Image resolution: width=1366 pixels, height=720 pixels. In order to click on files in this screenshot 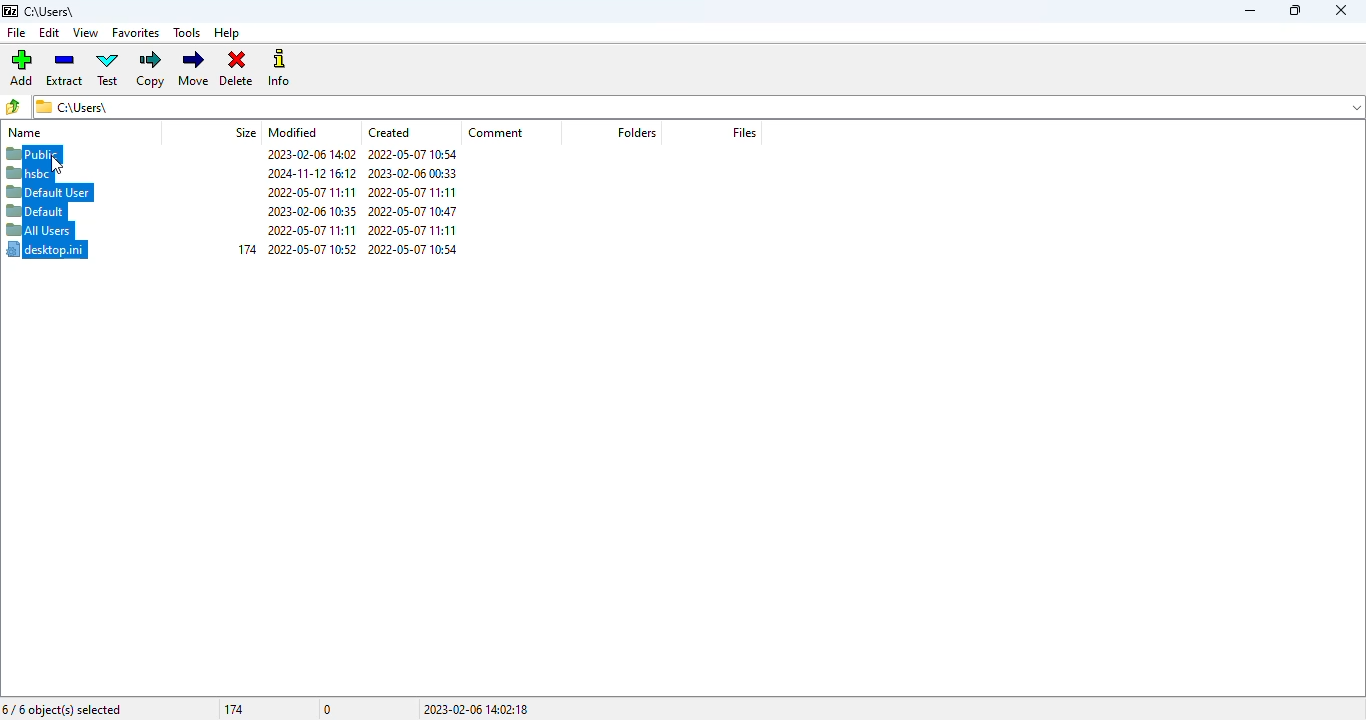, I will do `click(744, 132)`.